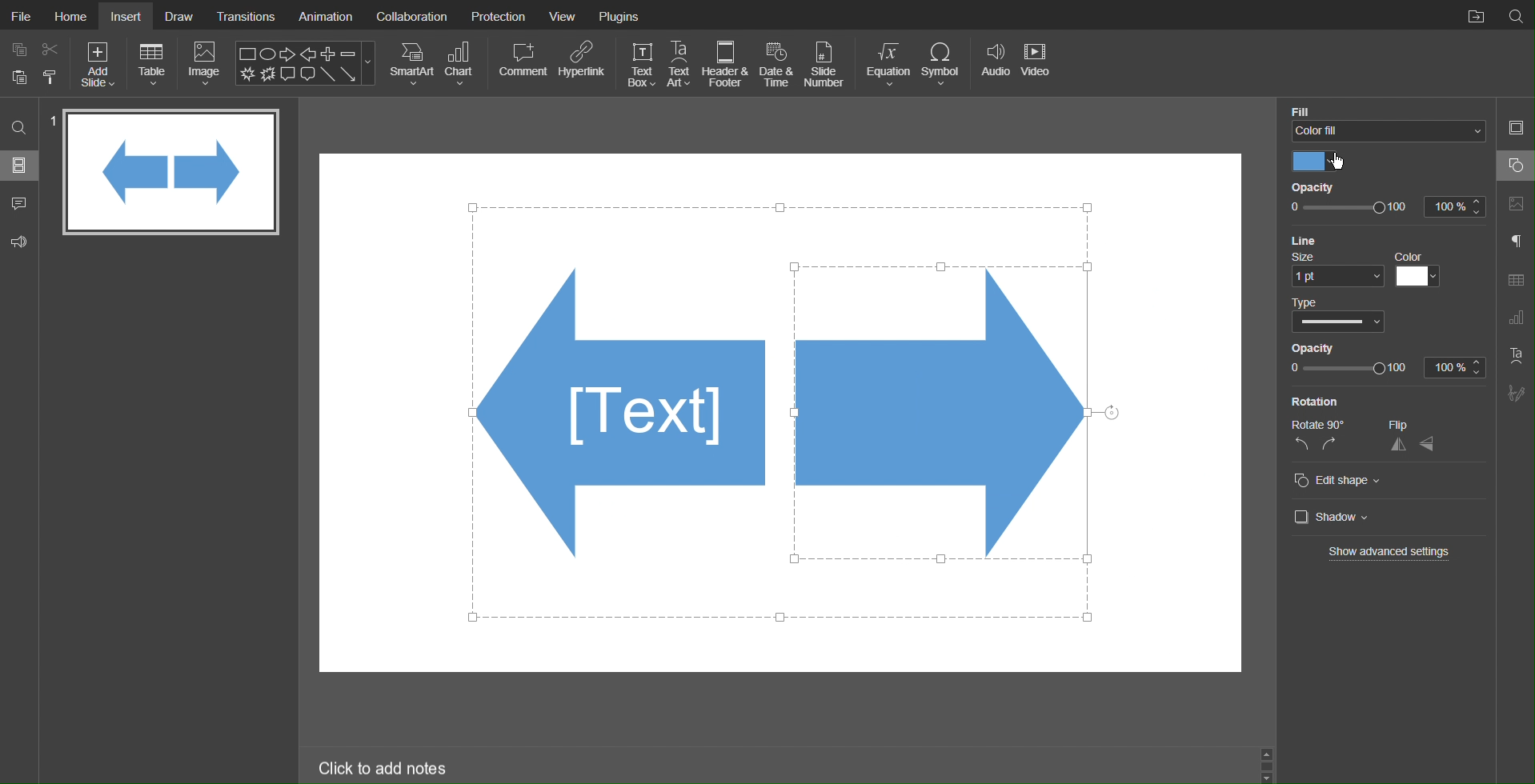 The height and width of the screenshot is (784, 1535). I want to click on Chart, so click(463, 64).